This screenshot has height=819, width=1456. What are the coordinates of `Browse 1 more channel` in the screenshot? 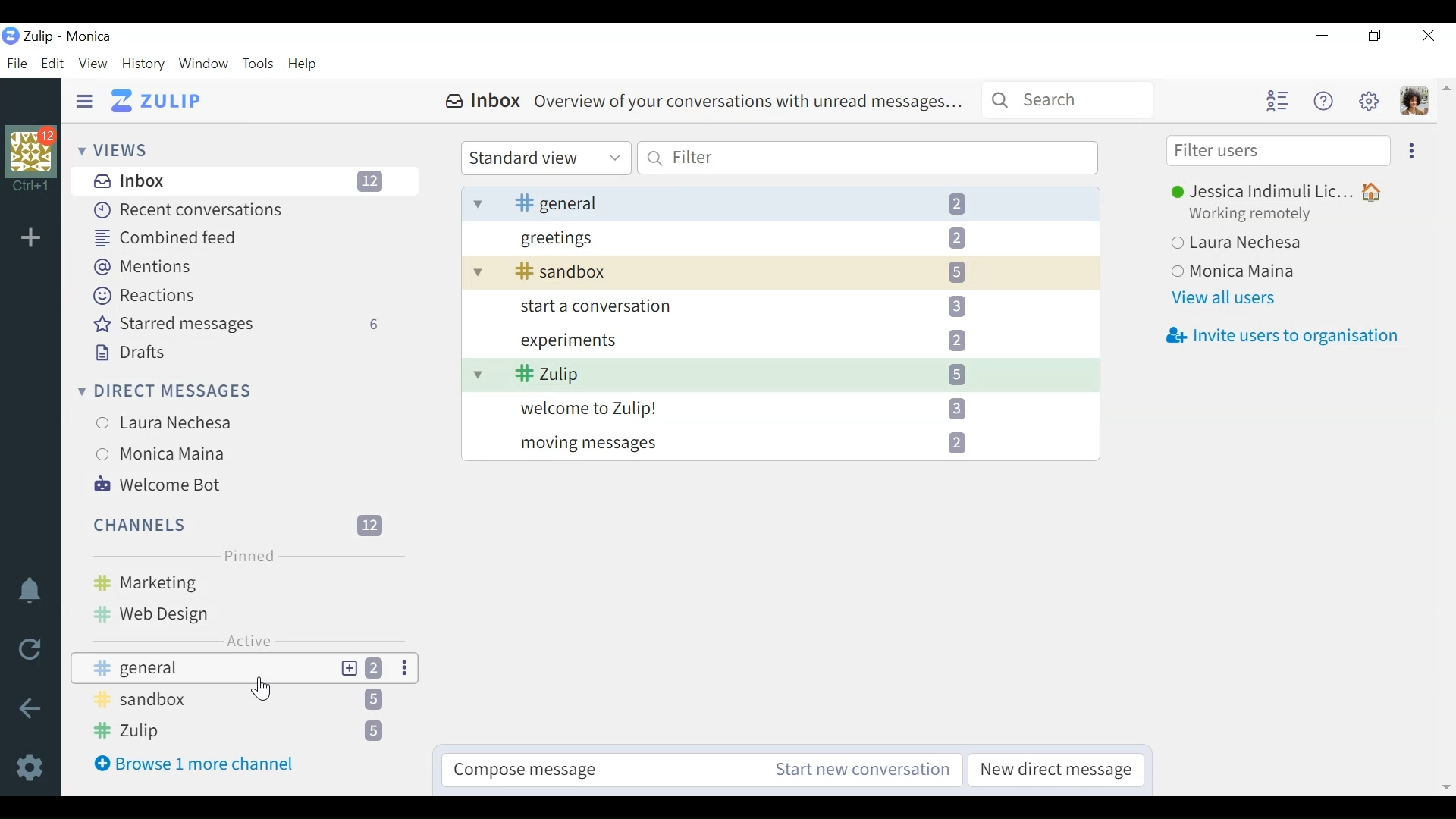 It's located at (202, 764).